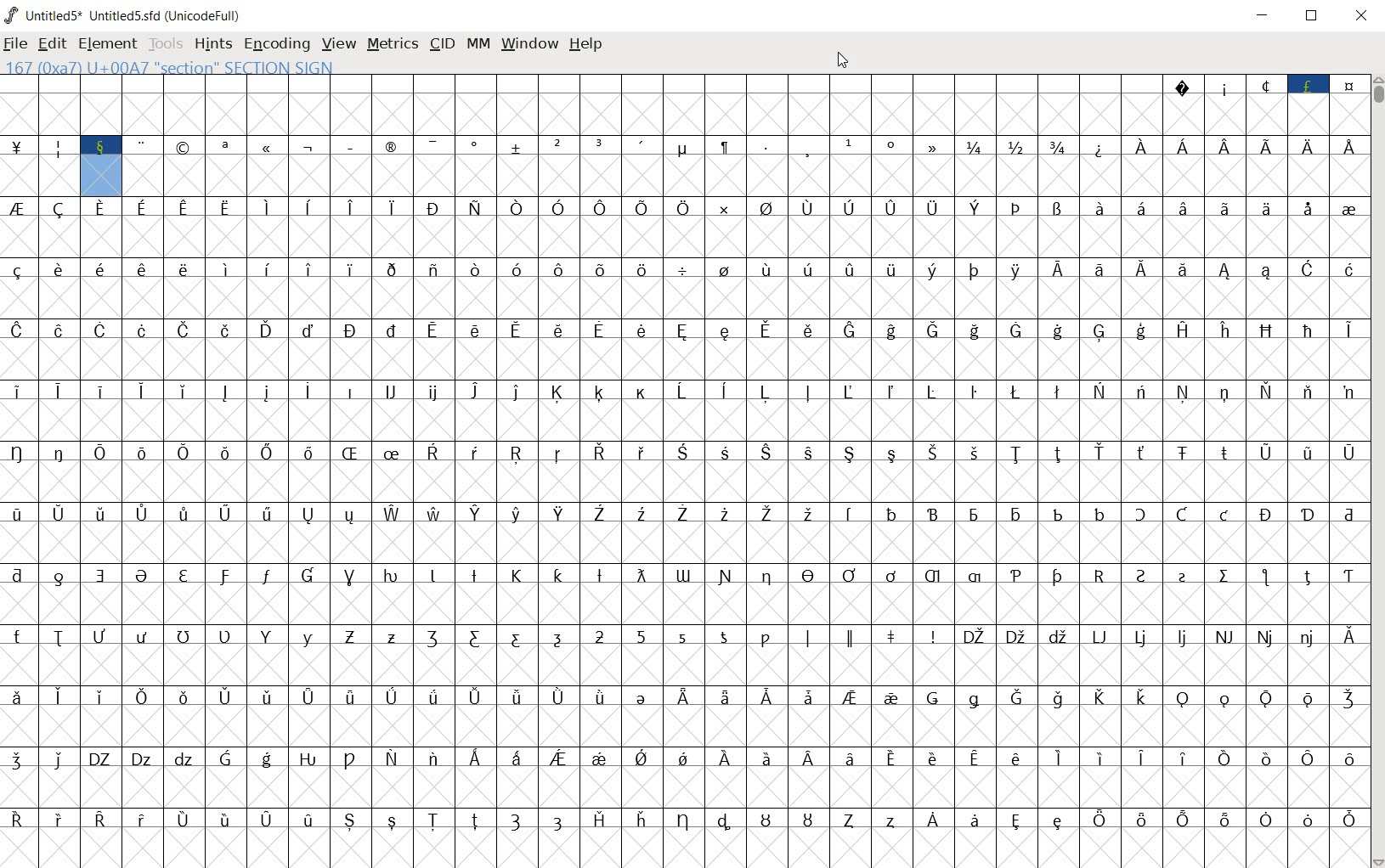  What do you see at coordinates (1377, 470) in the screenshot?
I see `scrollbar` at bounding box center [1377, 470].